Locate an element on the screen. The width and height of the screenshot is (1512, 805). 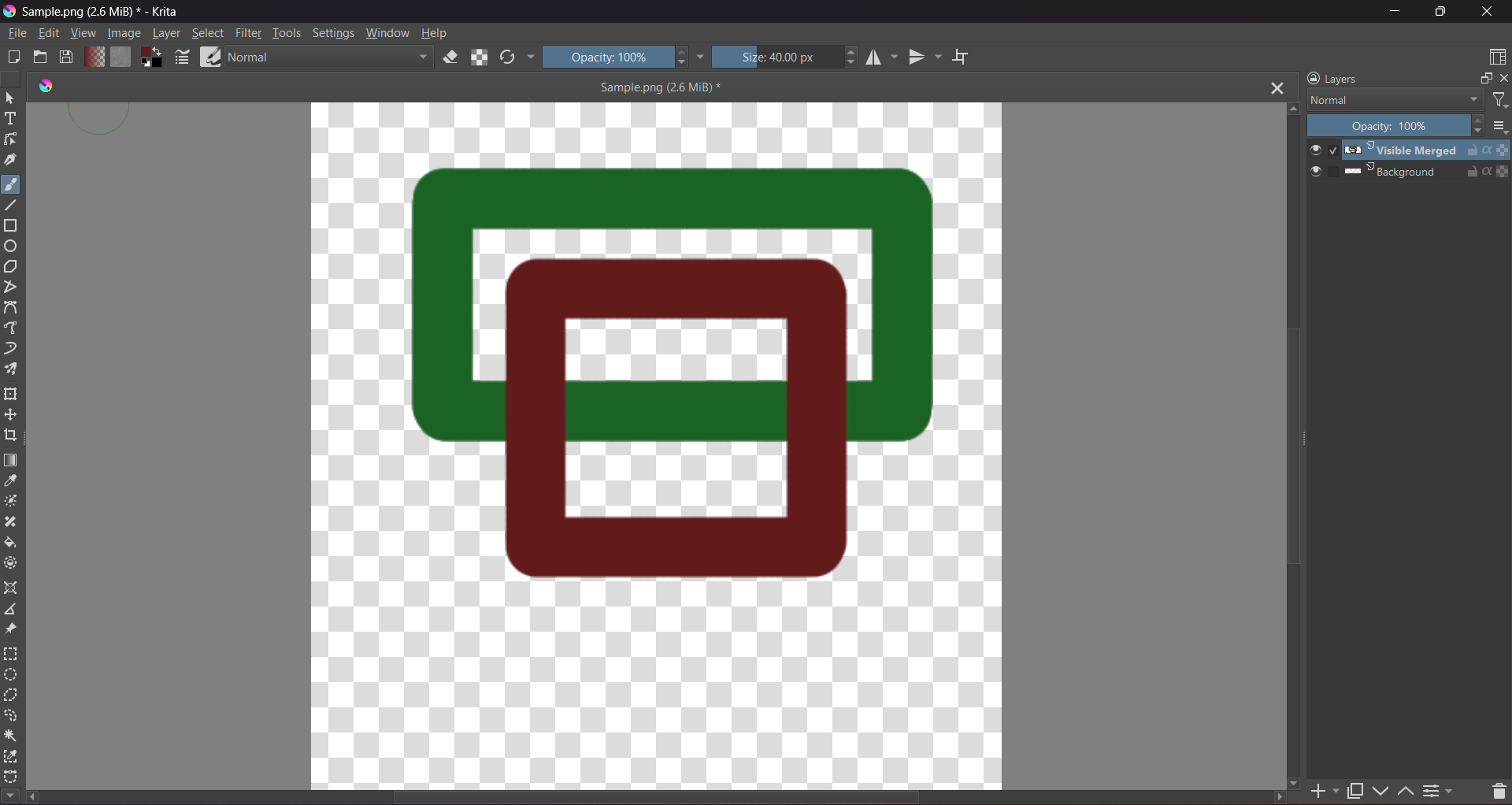
Enclose and fill is located at coordinates (13, 563).